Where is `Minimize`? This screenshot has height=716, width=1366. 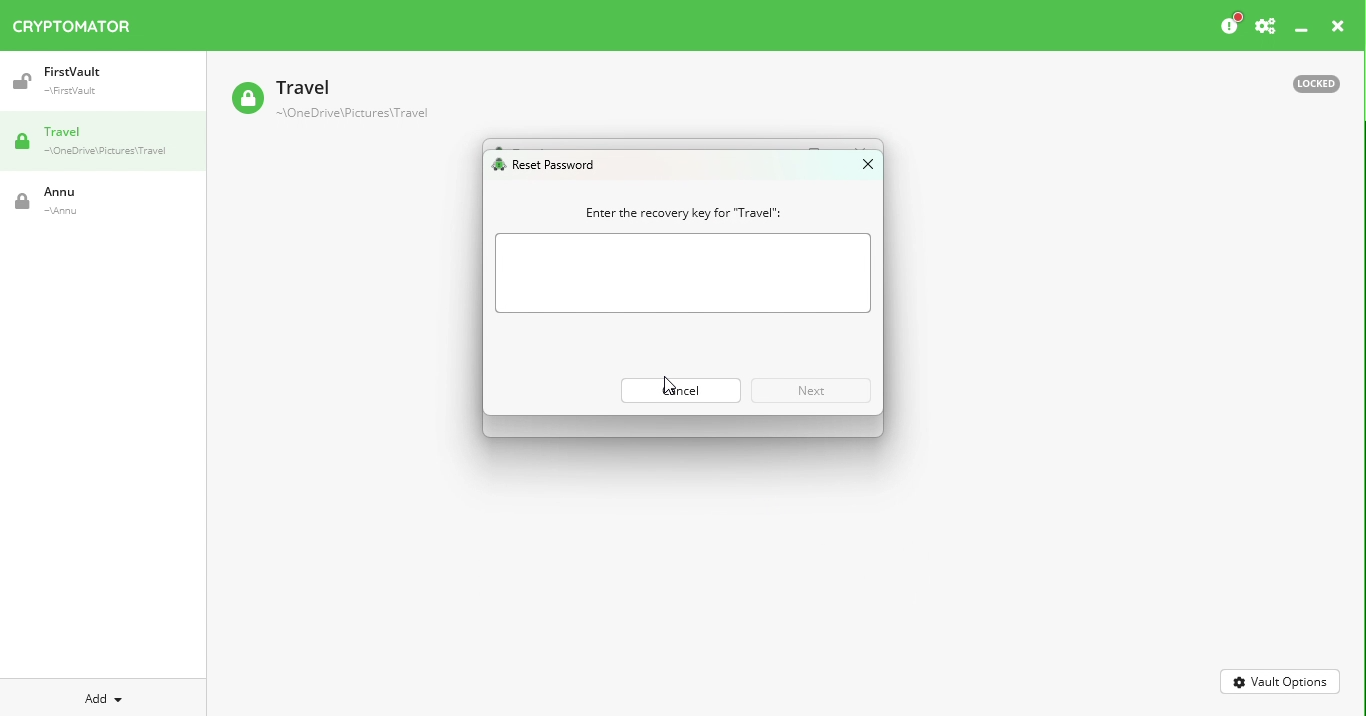
Minimize is located at coordinates (1302, 31).